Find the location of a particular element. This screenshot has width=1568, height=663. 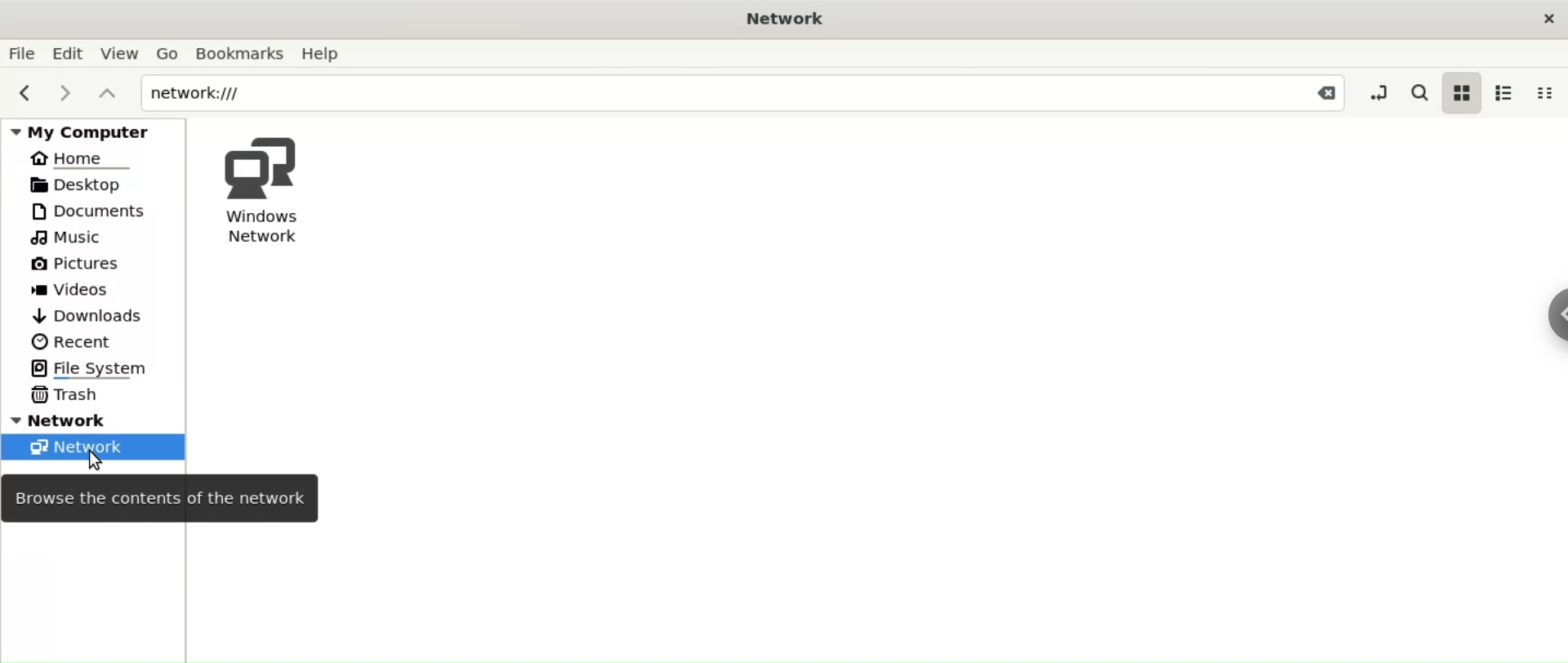

File System is located at coordinates (104, 368).